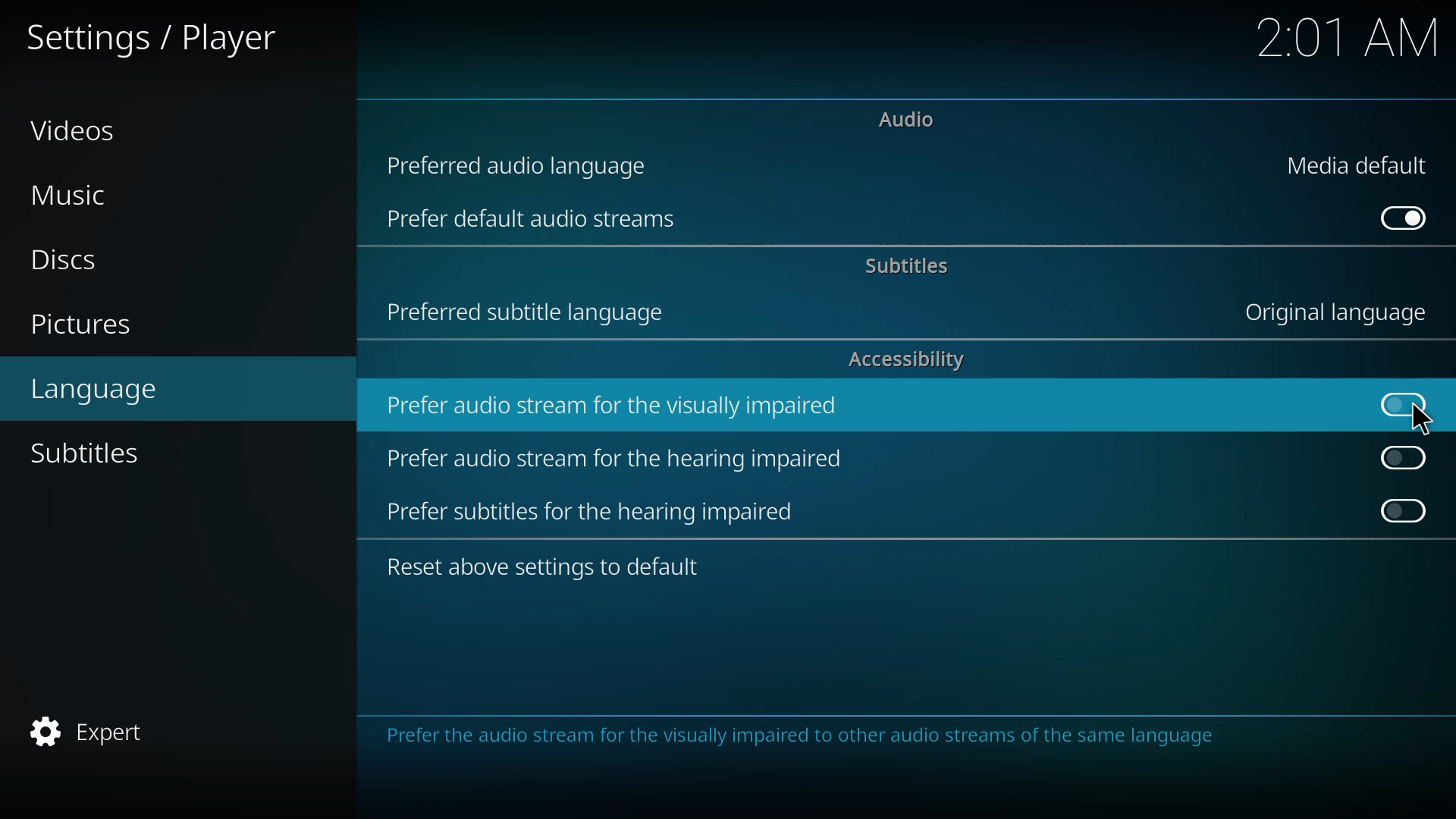 The height and width of the screenshot is (819, 1456). What do you see at coordinates (529, 313) in the screenshot?
I see `preferred subtitle language` at bounding box center [529, 313].